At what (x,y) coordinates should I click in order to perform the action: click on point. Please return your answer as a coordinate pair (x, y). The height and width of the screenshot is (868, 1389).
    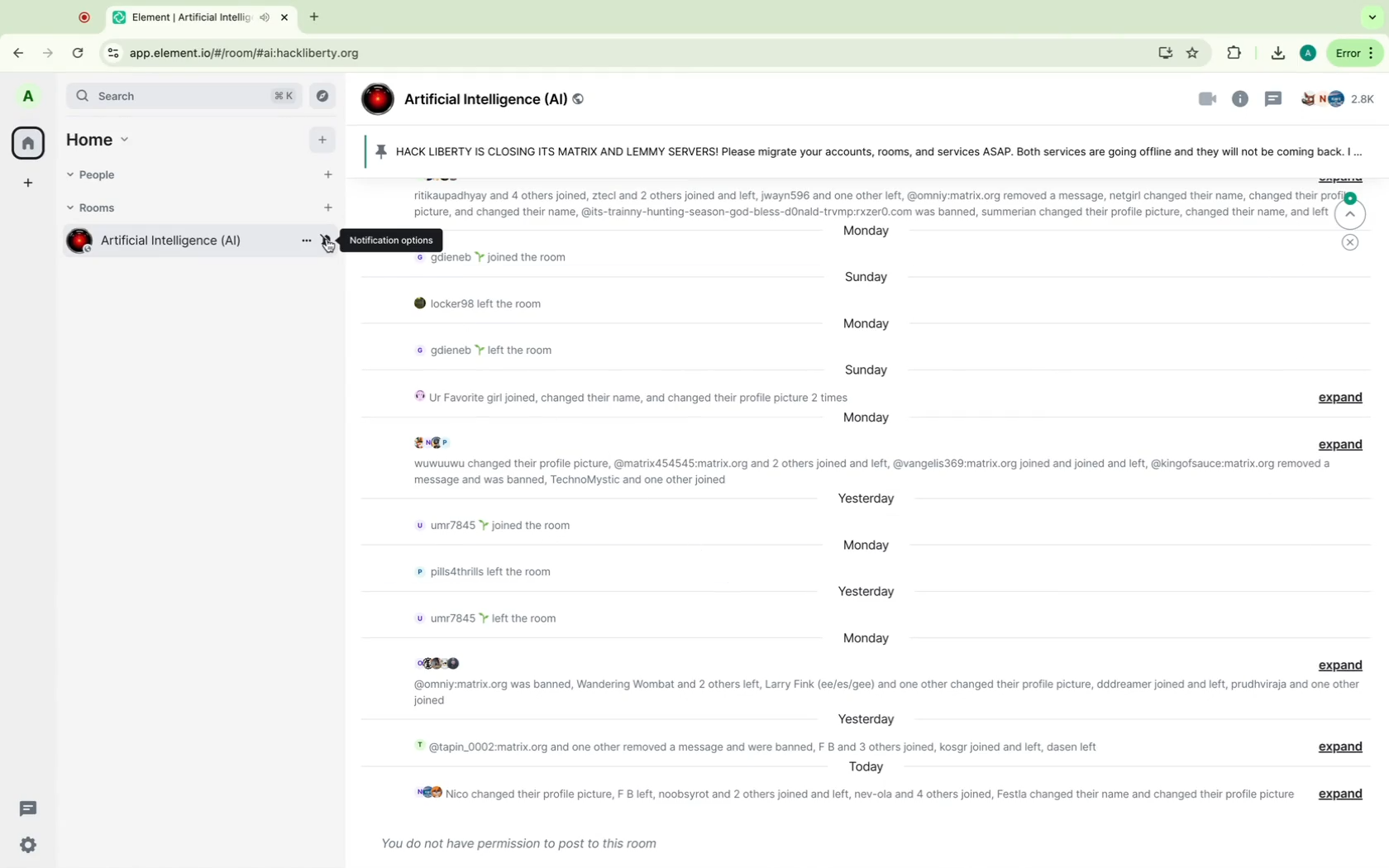
    Looking at the image, I should click on (84, 16).